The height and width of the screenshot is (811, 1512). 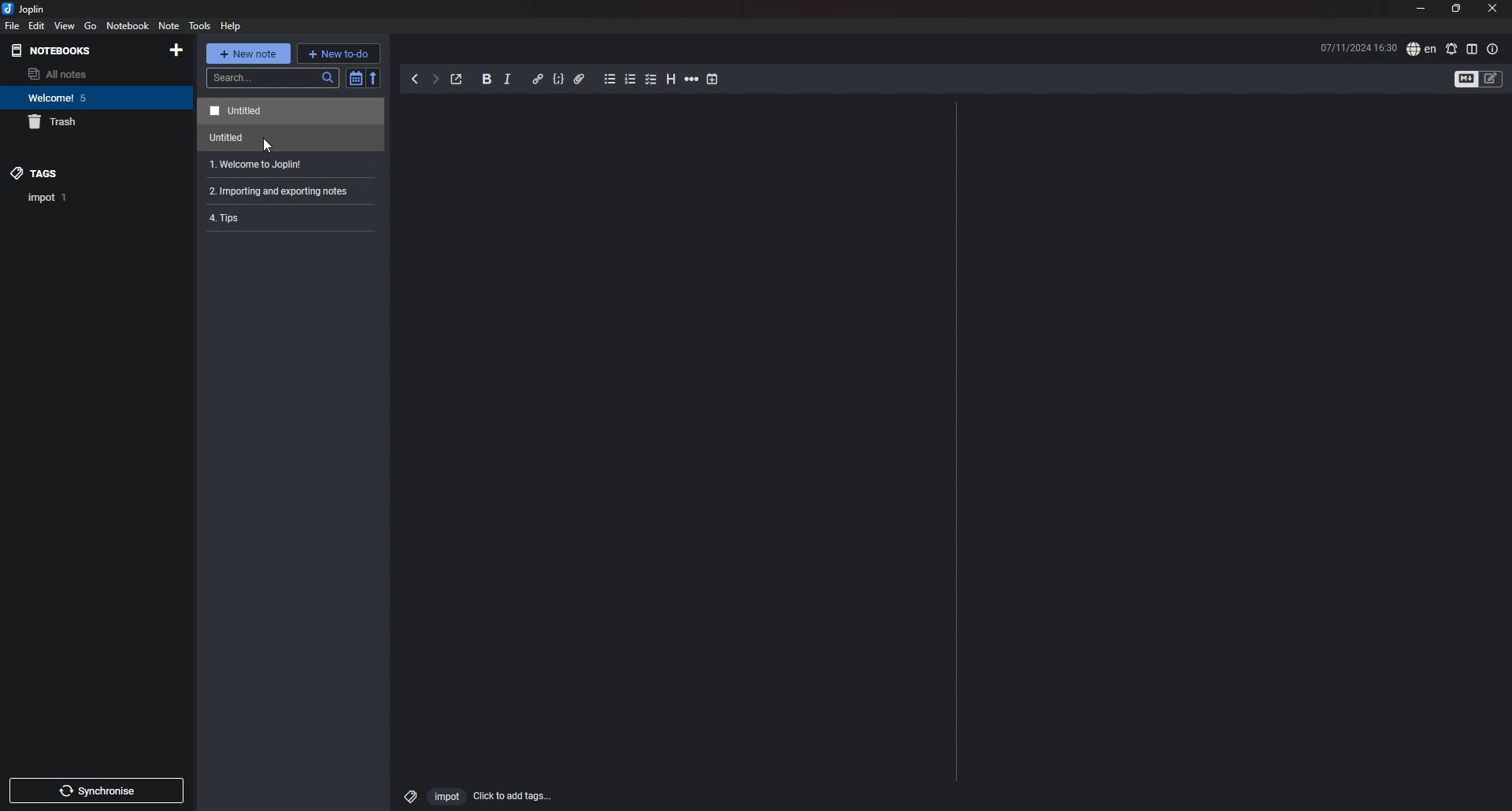 What do you see at coordinates (507, 80) in the screenshot?
I see `italic` at bounding box center [507, 80].